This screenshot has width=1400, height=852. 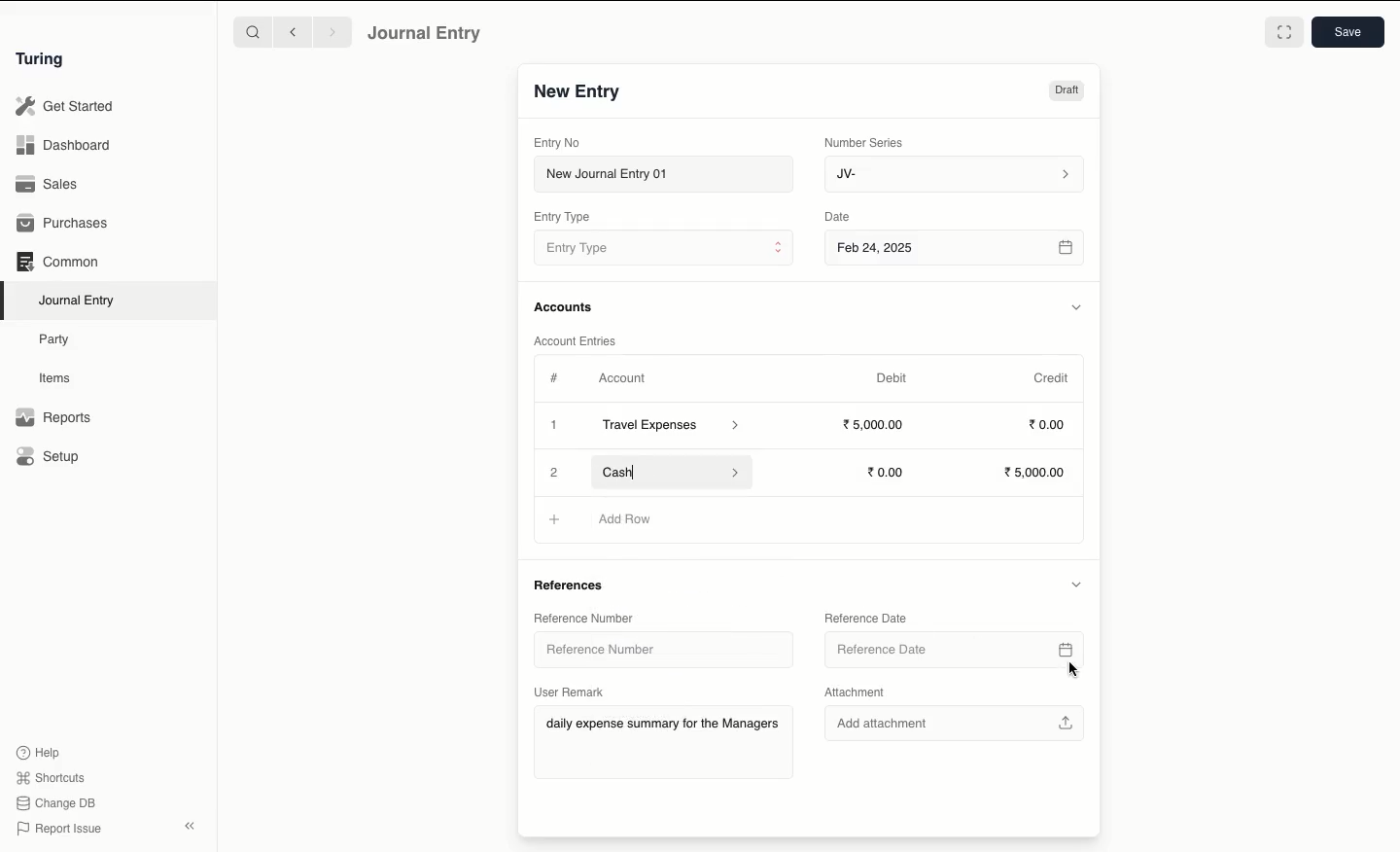 I want to click on Feb 24, 2025, so click(x=957, y=250).